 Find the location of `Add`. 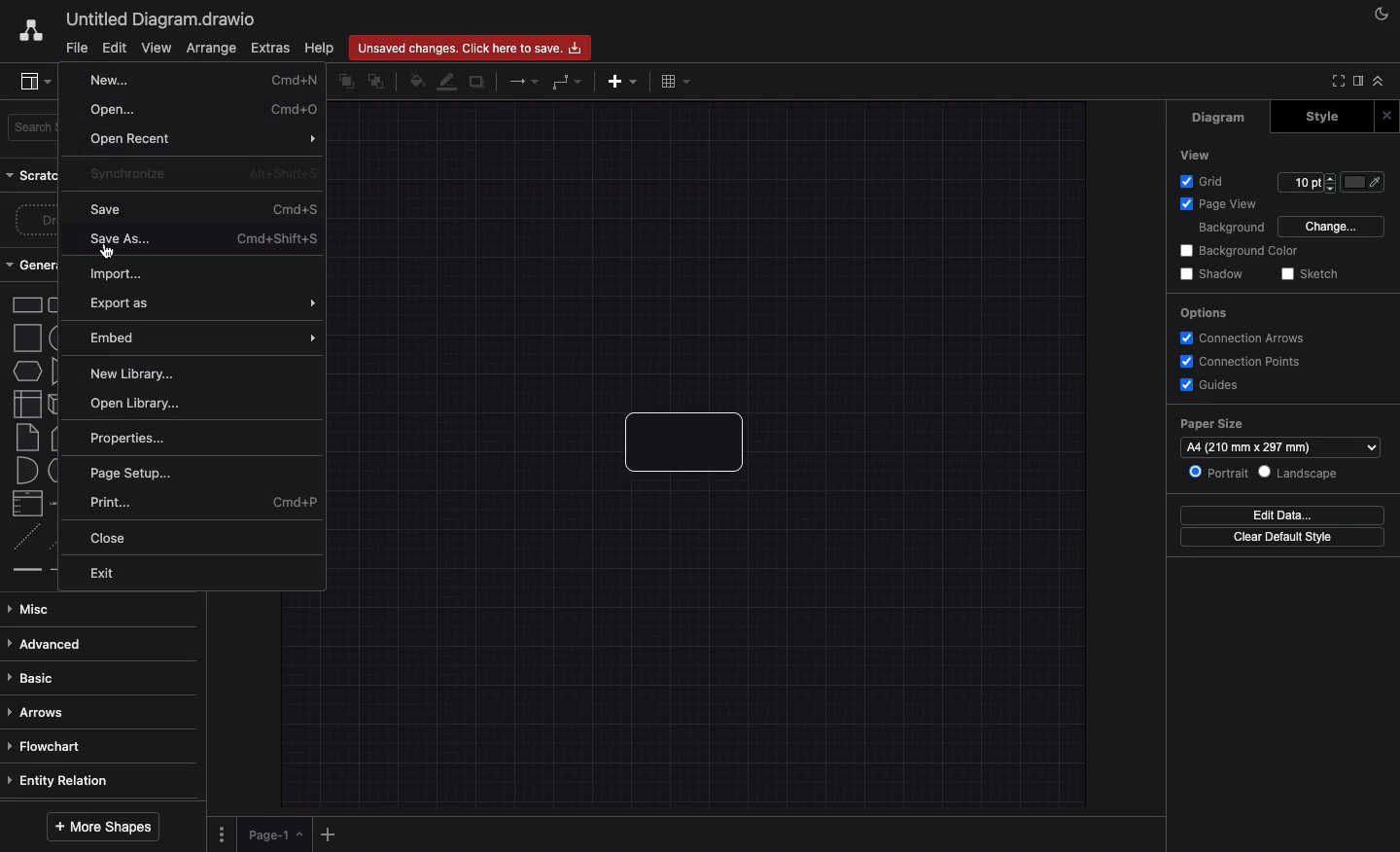

Add is located at coordinates (327, 834).